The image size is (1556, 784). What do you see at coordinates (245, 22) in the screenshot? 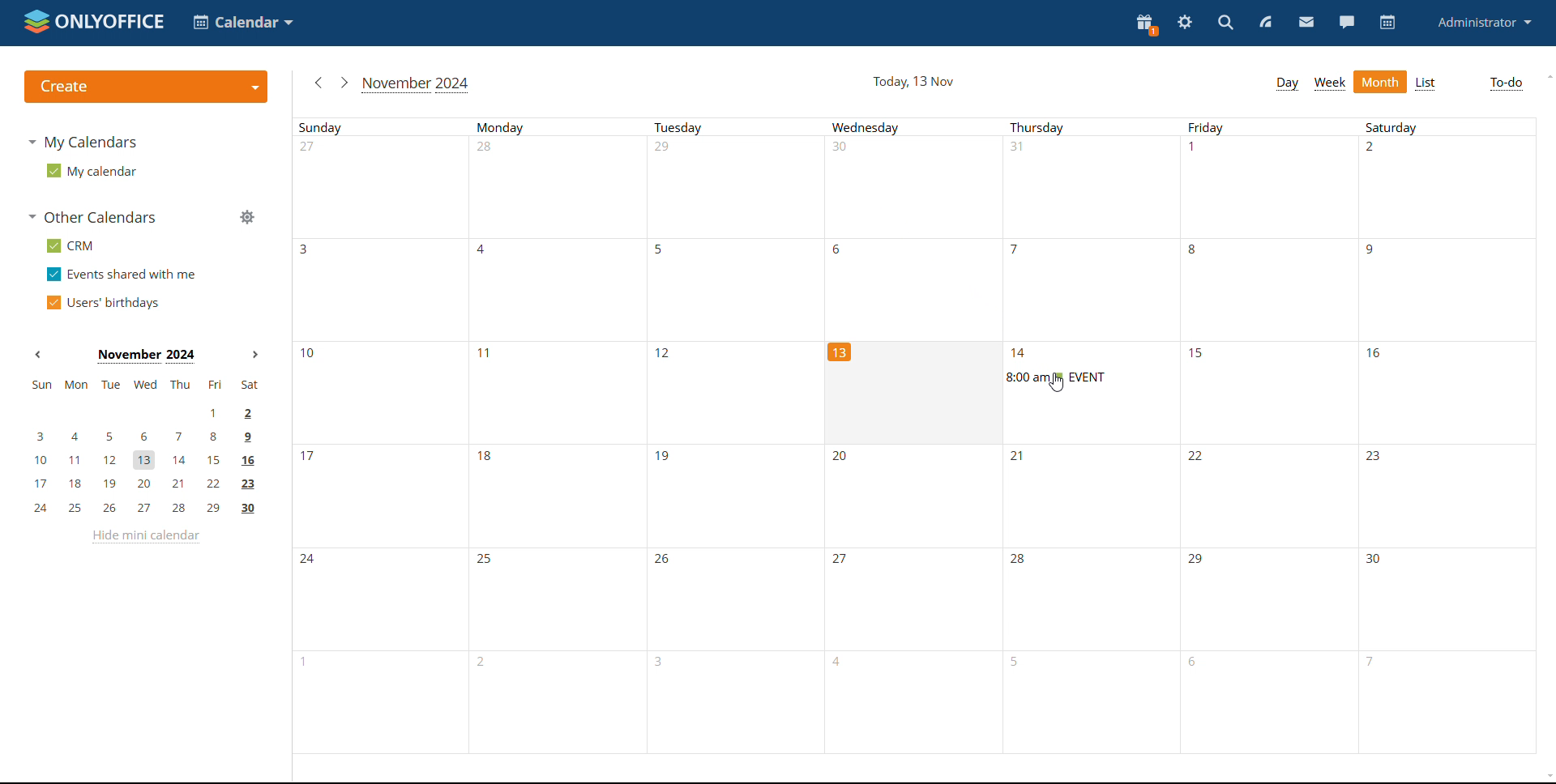
I see `select application` at bounding box center [245, 22].